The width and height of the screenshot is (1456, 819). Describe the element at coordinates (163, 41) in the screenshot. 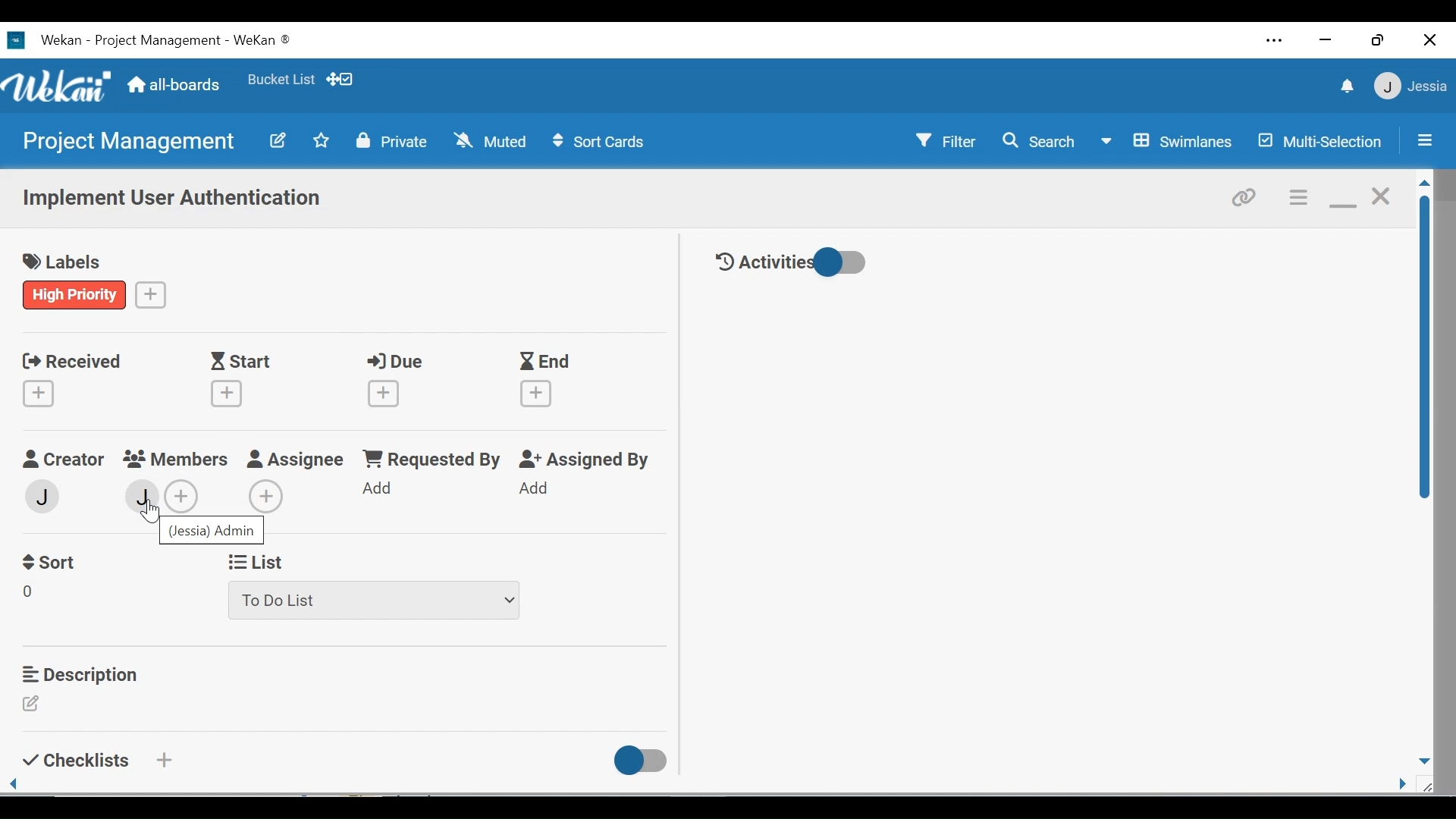

I see `Wekan - Project Management - WeKan ®` at that location.